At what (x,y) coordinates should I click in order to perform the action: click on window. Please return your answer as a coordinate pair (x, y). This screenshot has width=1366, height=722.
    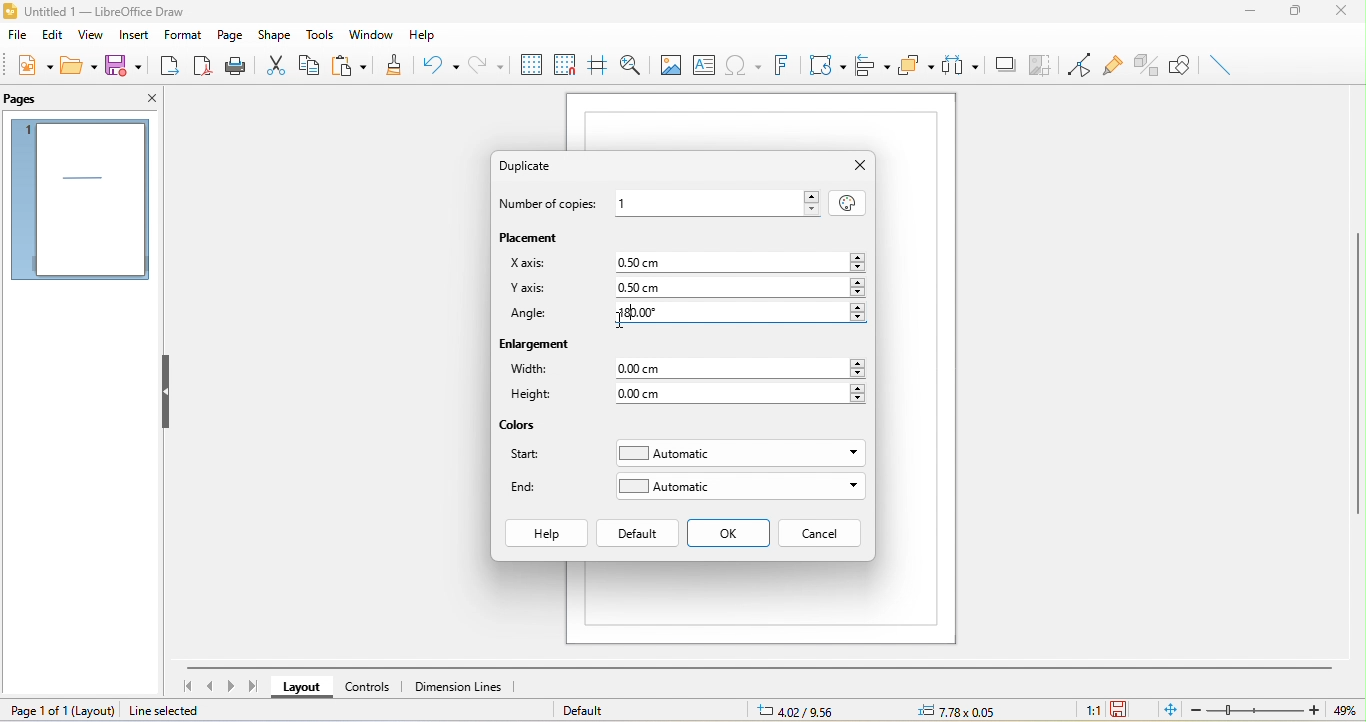
    Looking at the image, I should click on (371, 33).